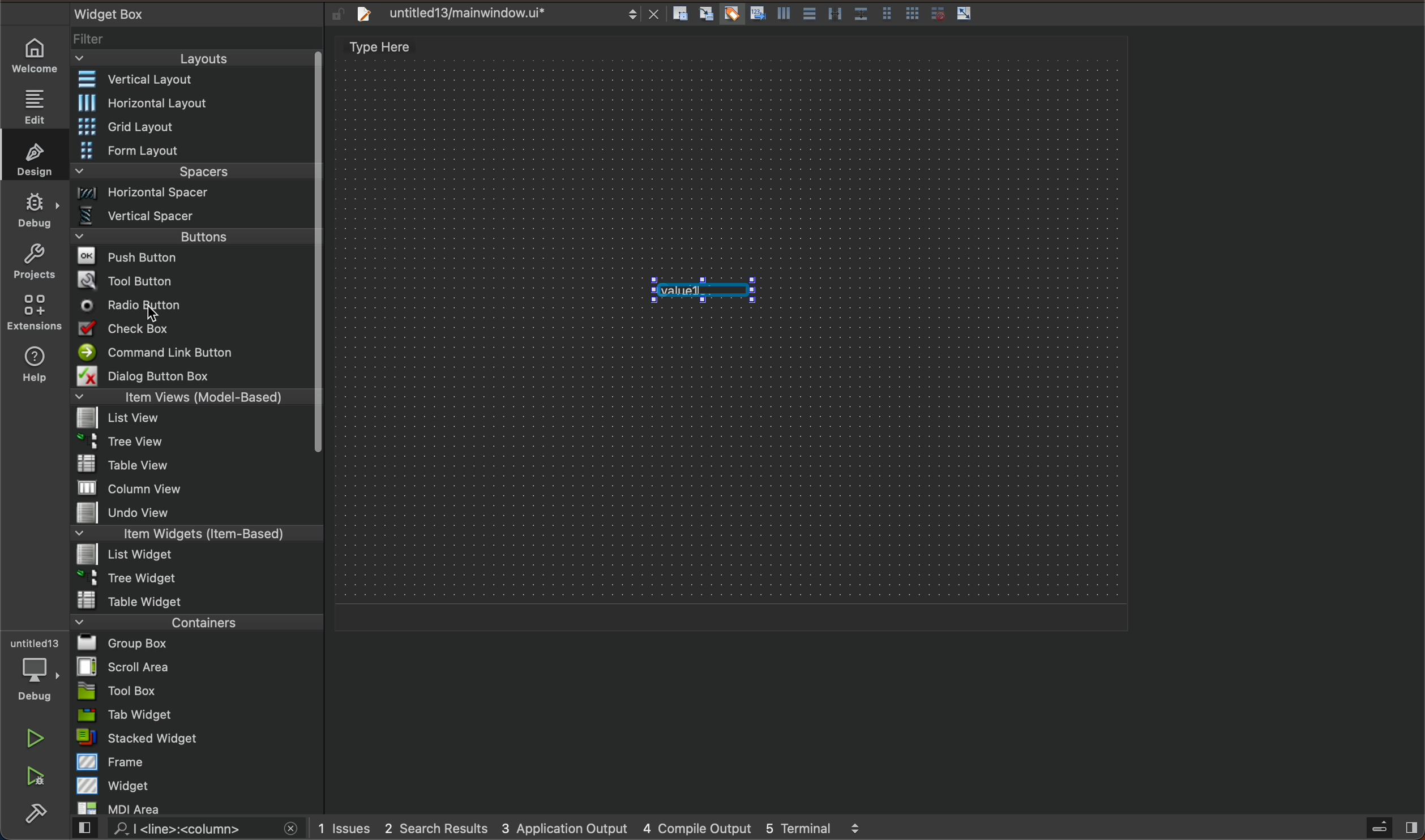 This screenshot has height=840, width=1425. What do you see at coordinates (198, 579) in the screenshot?
I see `tree widget` at bounding box center [198, 579].